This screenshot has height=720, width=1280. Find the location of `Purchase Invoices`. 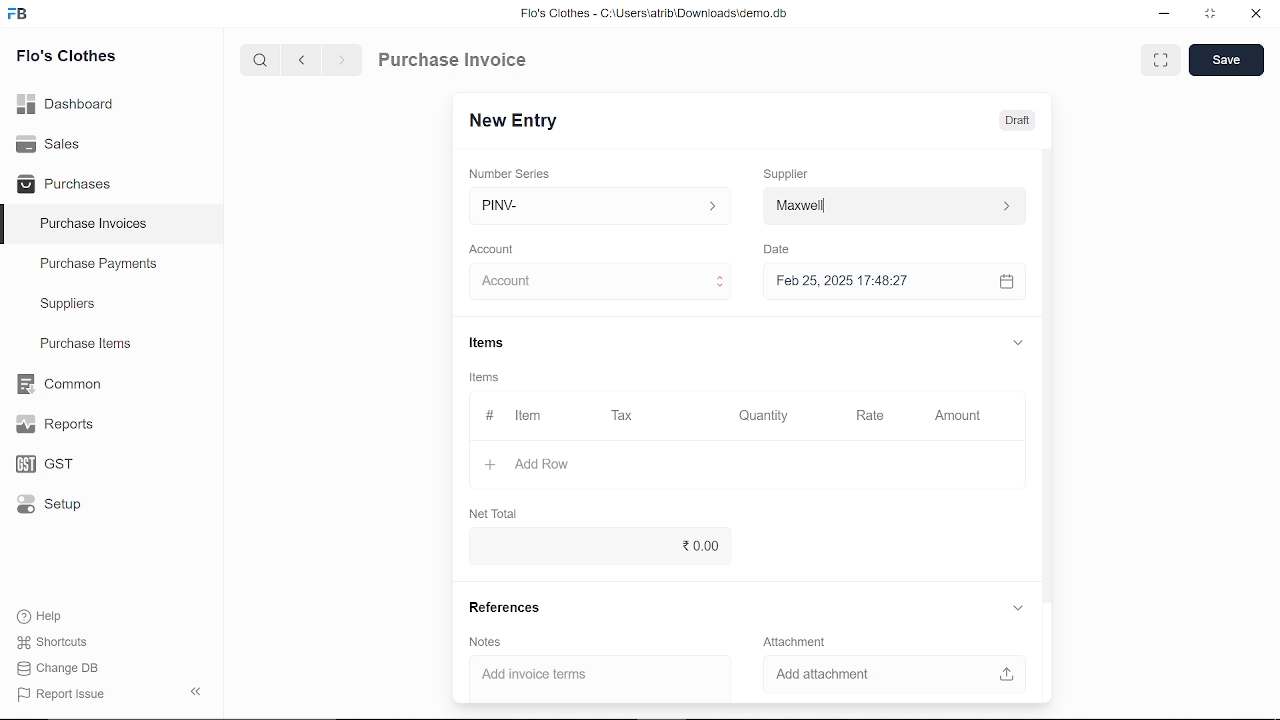

Purchase Invoices is located at coordinates (94, 226).